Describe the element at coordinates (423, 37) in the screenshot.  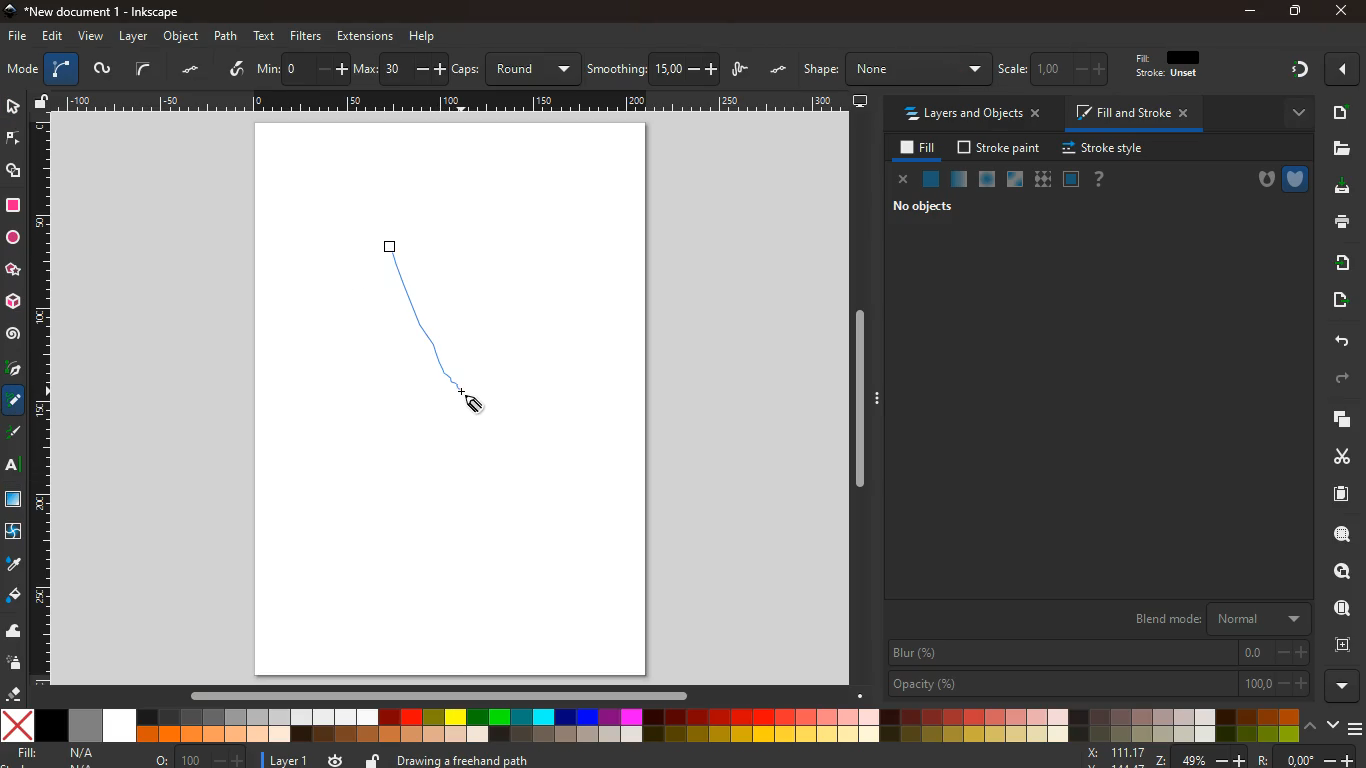
I see `help` at that location.